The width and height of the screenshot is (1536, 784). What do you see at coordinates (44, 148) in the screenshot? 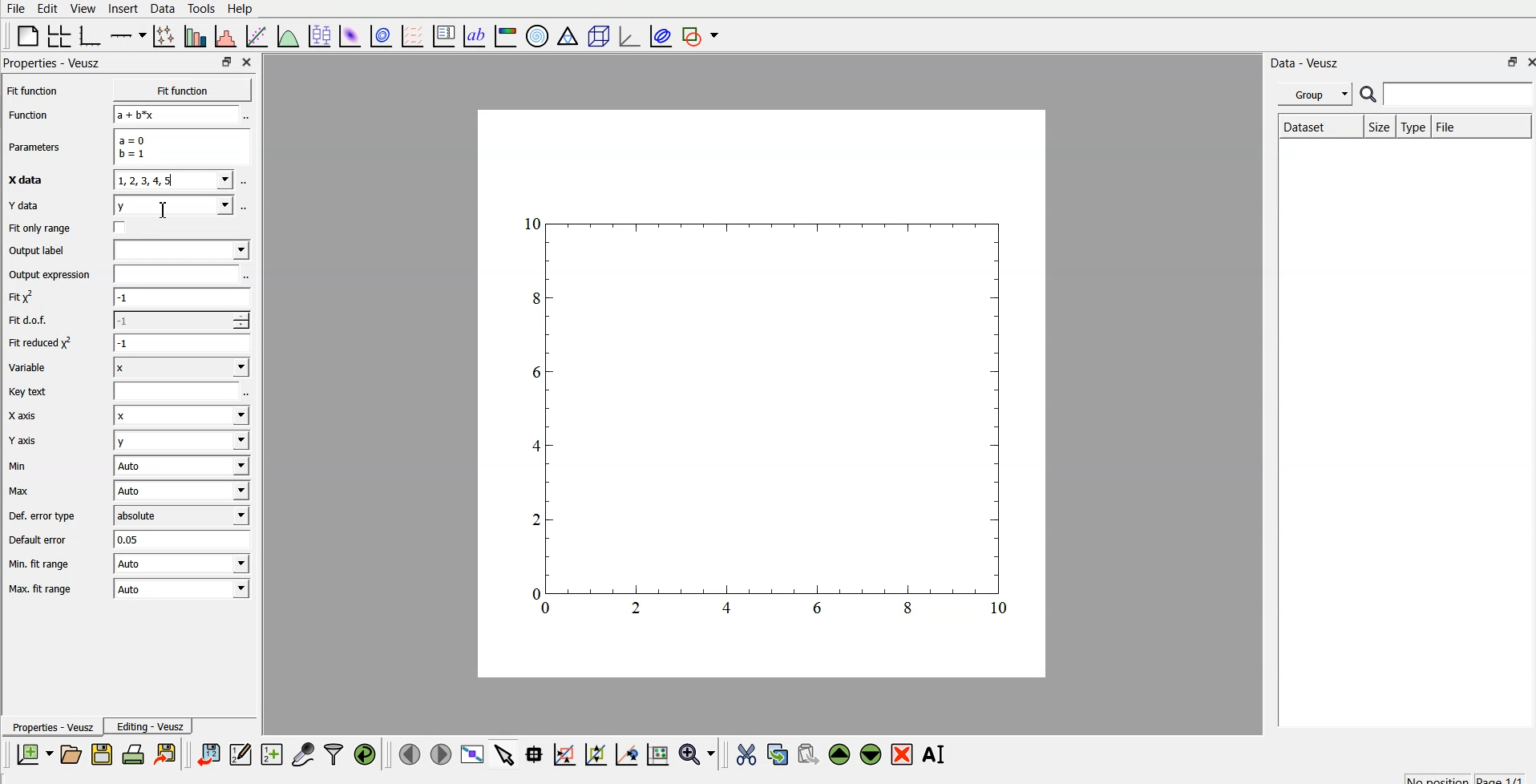
I see `Parameters` at bounding box center [44, 148].